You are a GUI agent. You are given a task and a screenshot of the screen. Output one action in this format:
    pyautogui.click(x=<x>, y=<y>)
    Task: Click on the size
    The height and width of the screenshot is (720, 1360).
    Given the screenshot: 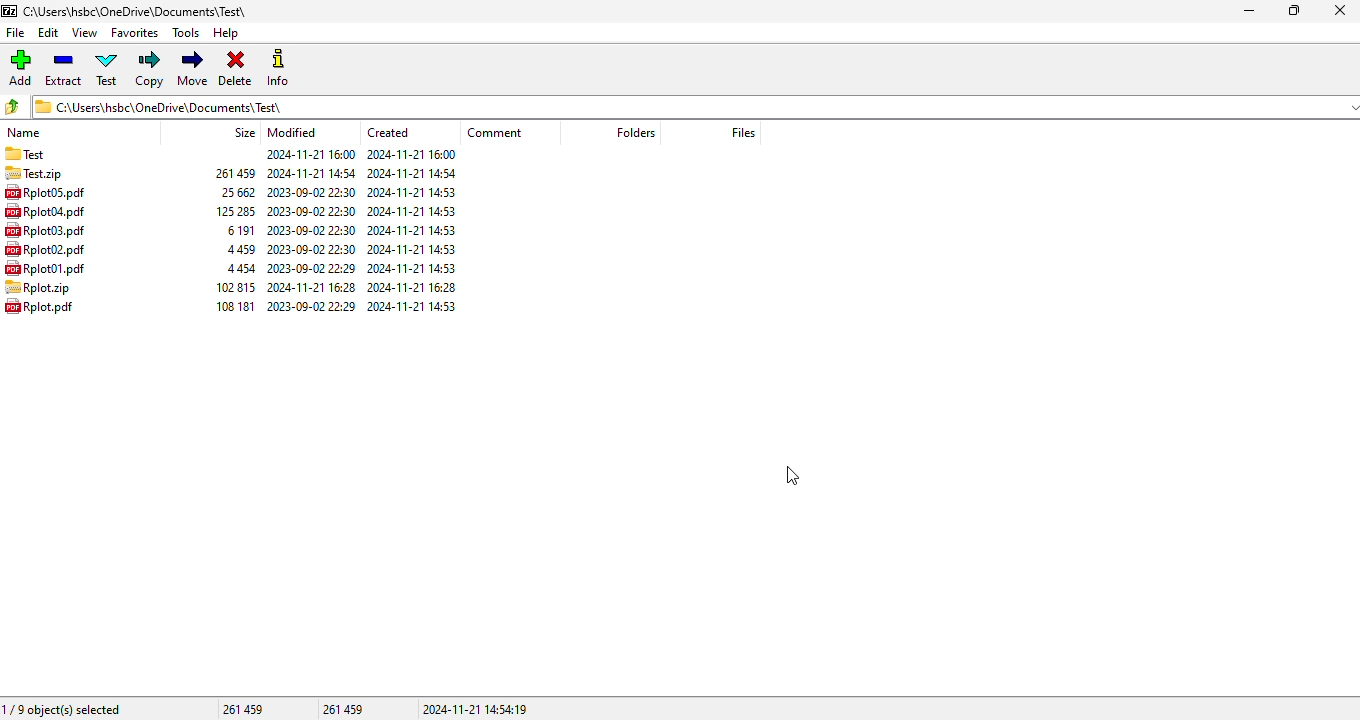 What is the action you would take?
    pyautogui.click(x=234, y=305)
    